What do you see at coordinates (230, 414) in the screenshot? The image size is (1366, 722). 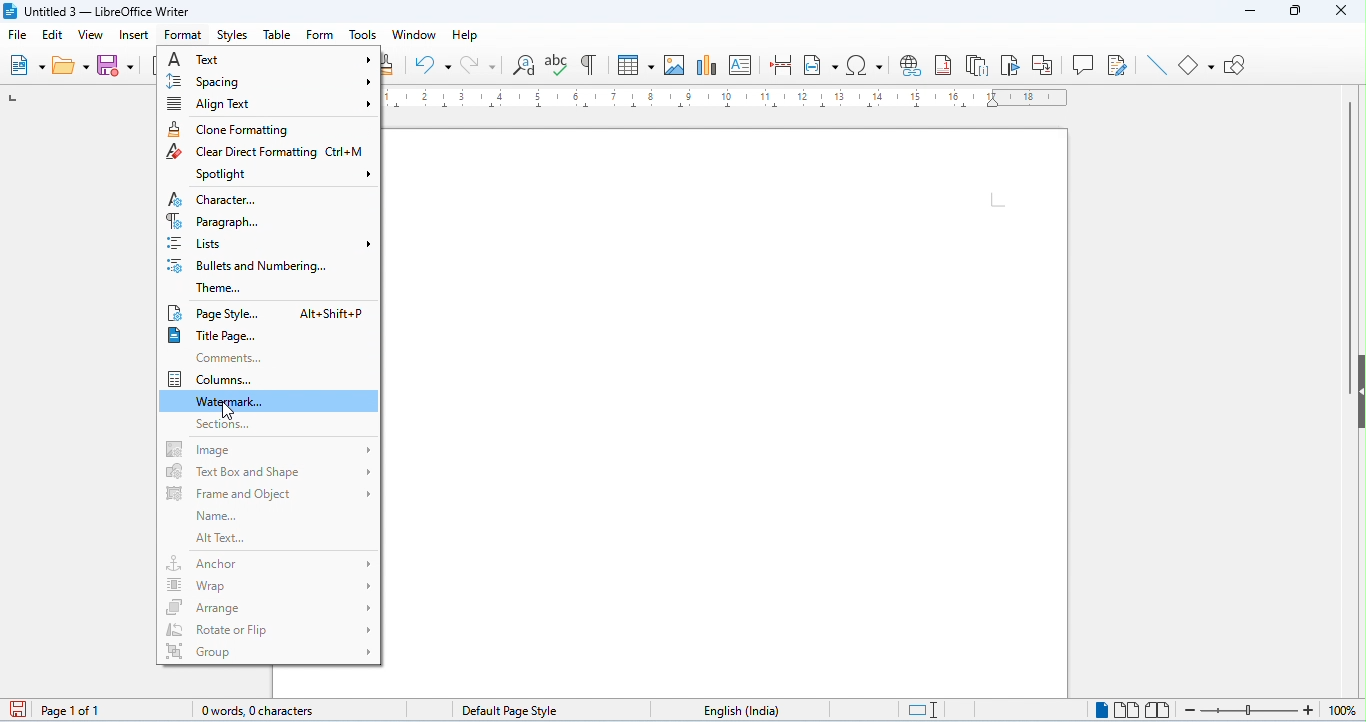 I see `cursor movement` at bounding box center [230, 414].